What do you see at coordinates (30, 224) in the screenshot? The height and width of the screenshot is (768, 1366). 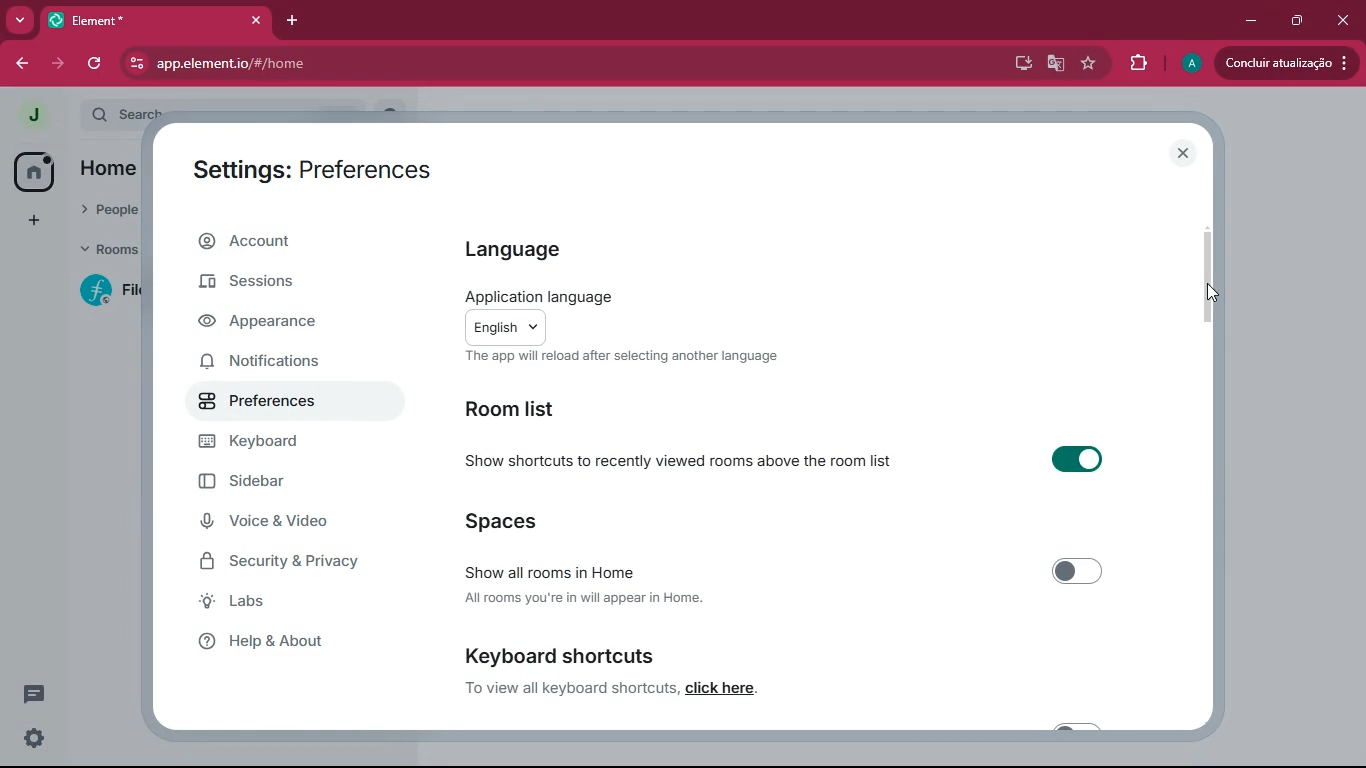 I see `add` at bounding box center [30, 224].